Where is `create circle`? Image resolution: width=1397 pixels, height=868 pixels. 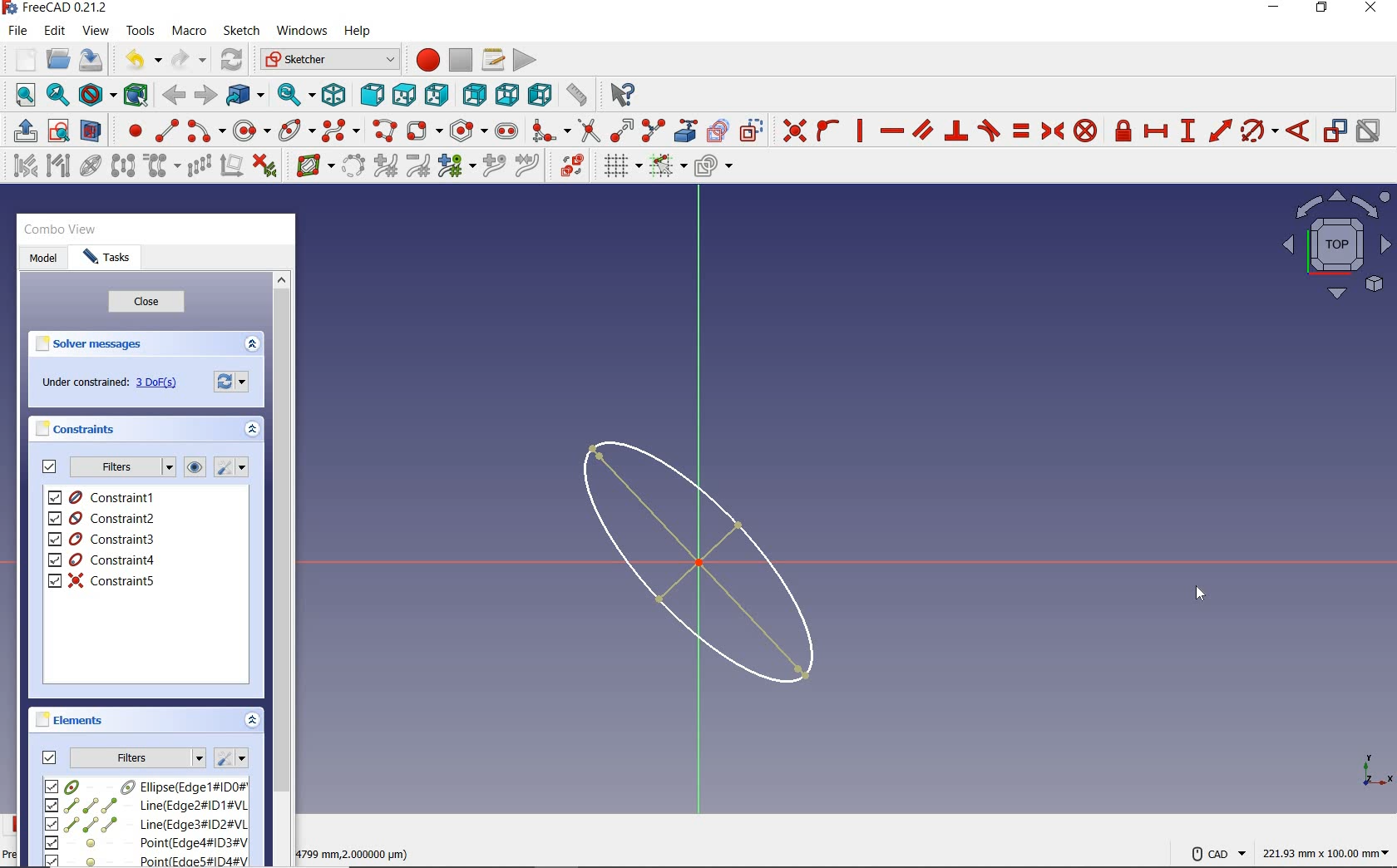
create circle is located at coordinates (252, 128).